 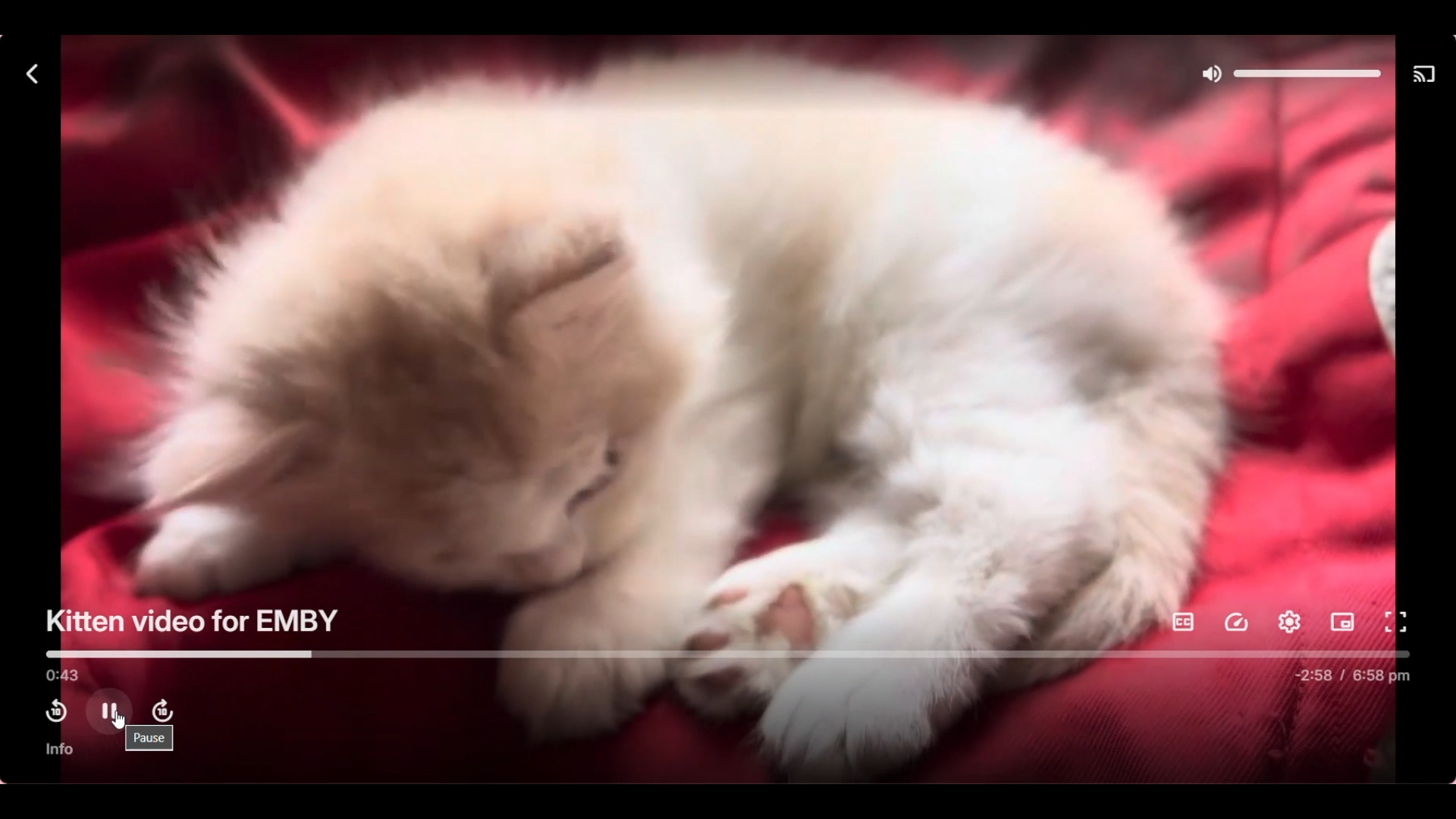 What do you see at coordinates (1184, 623) in the screenshot?
I see `Subtitles` at bounding box center [1184, 623].